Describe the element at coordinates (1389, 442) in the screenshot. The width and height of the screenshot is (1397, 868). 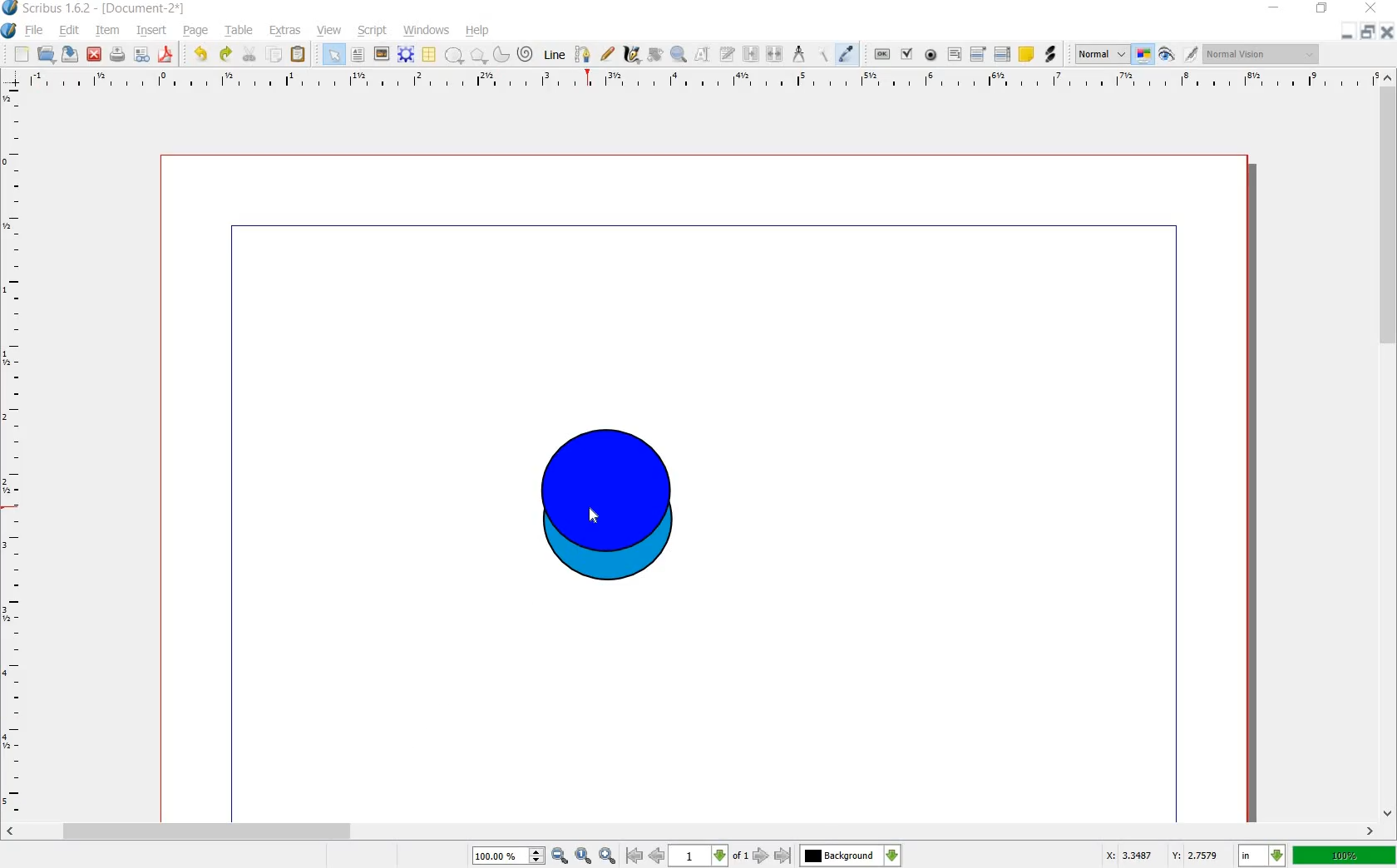
I see `scroll bar` at that location.